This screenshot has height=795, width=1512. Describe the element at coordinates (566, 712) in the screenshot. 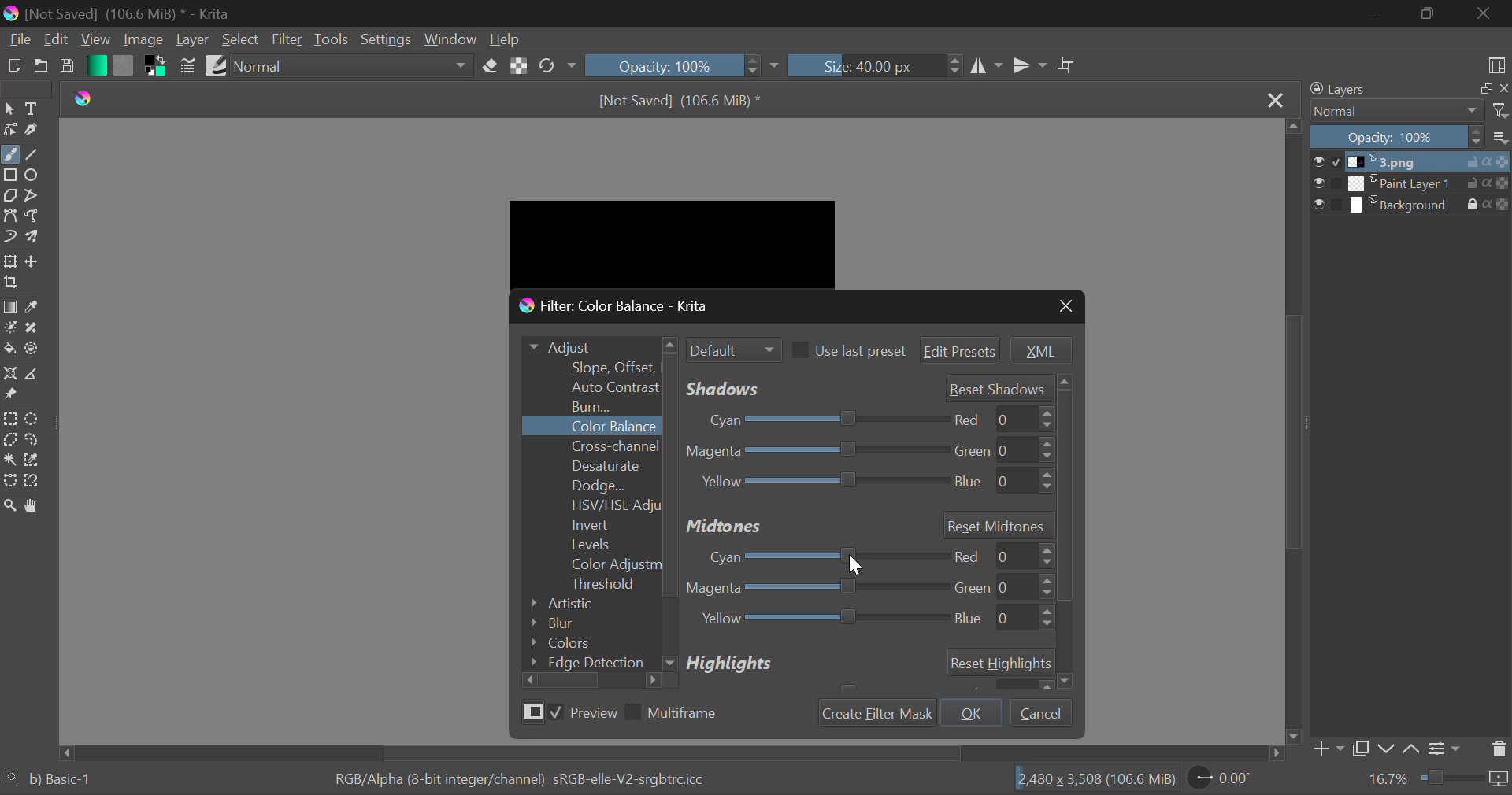

I see `Preview` at that location.